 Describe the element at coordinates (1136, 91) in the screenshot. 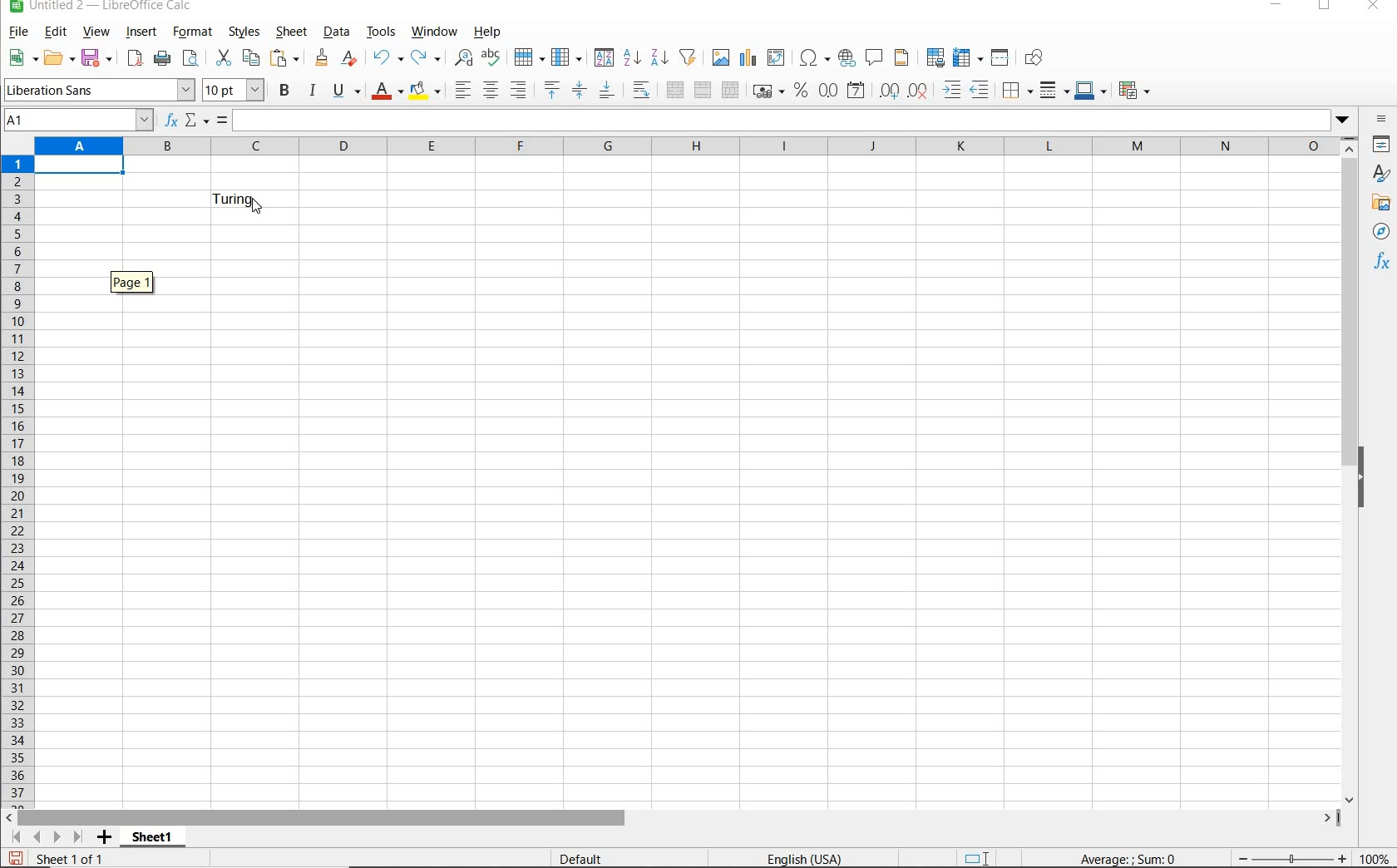

I see `CONDITIONAL` at that location.